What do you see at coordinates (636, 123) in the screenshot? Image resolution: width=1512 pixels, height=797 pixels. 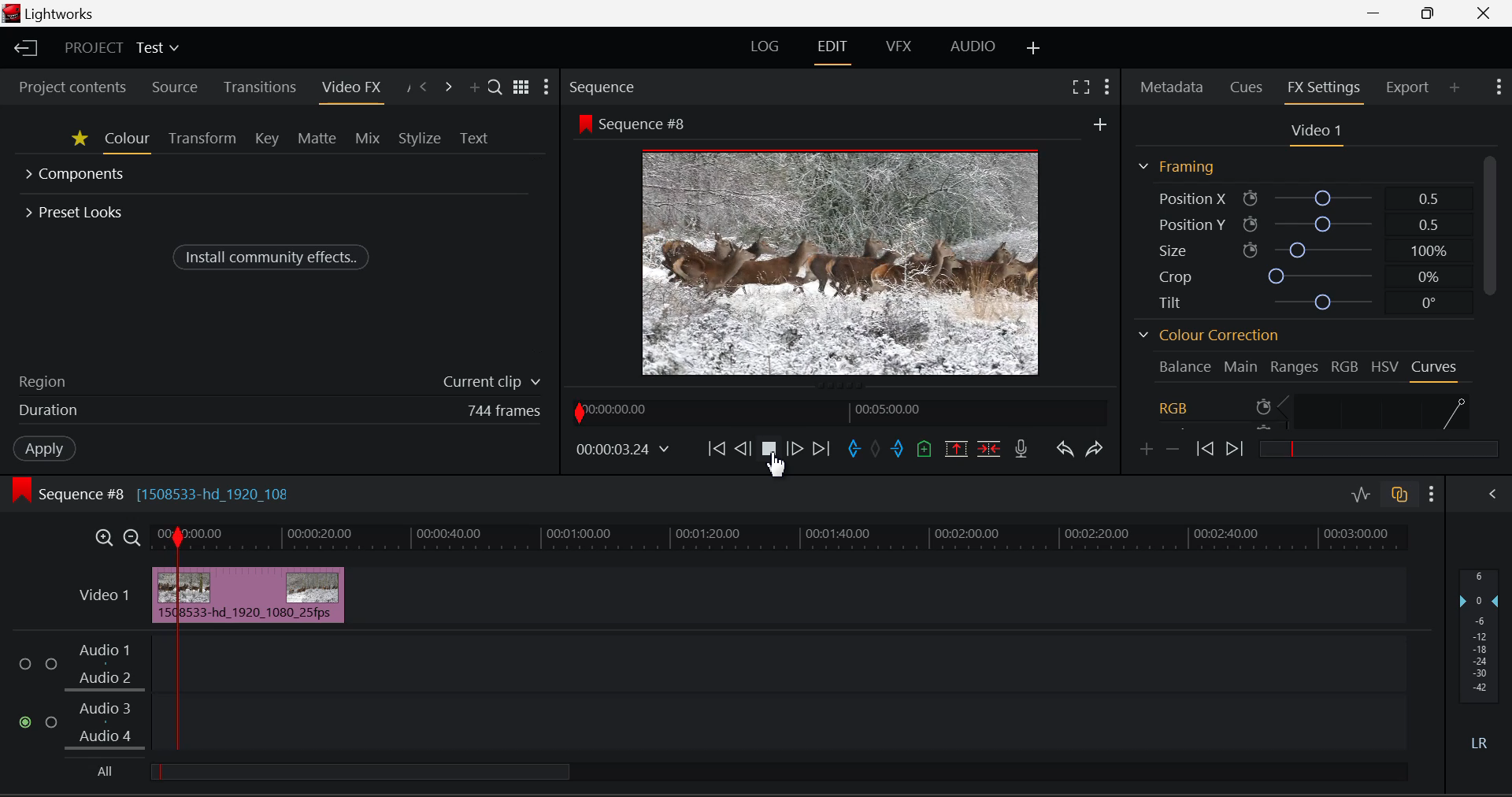 I see `Sequence #8` at bounding box center [636, 123].